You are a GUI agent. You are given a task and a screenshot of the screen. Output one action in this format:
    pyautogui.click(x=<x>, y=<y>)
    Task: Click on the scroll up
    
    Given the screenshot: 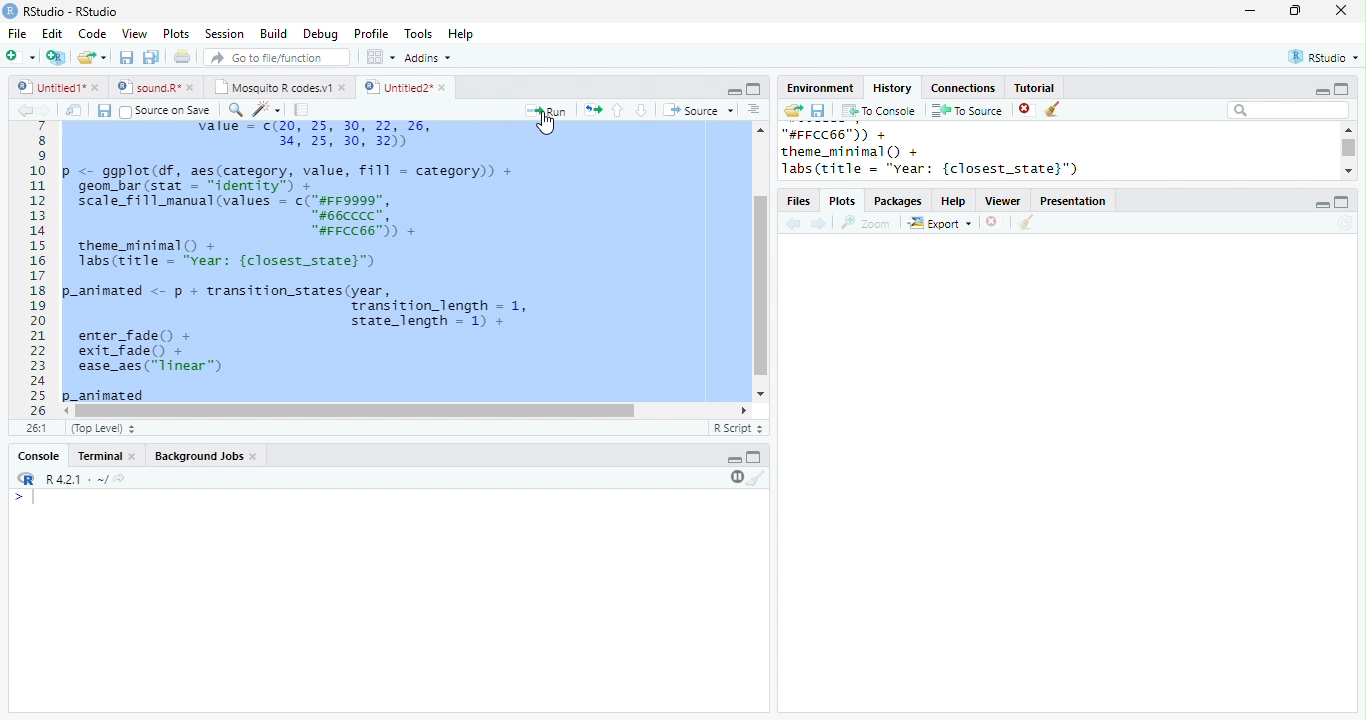 What is the action you would take?
    pyautogui.click(x=1349, y=129)
    